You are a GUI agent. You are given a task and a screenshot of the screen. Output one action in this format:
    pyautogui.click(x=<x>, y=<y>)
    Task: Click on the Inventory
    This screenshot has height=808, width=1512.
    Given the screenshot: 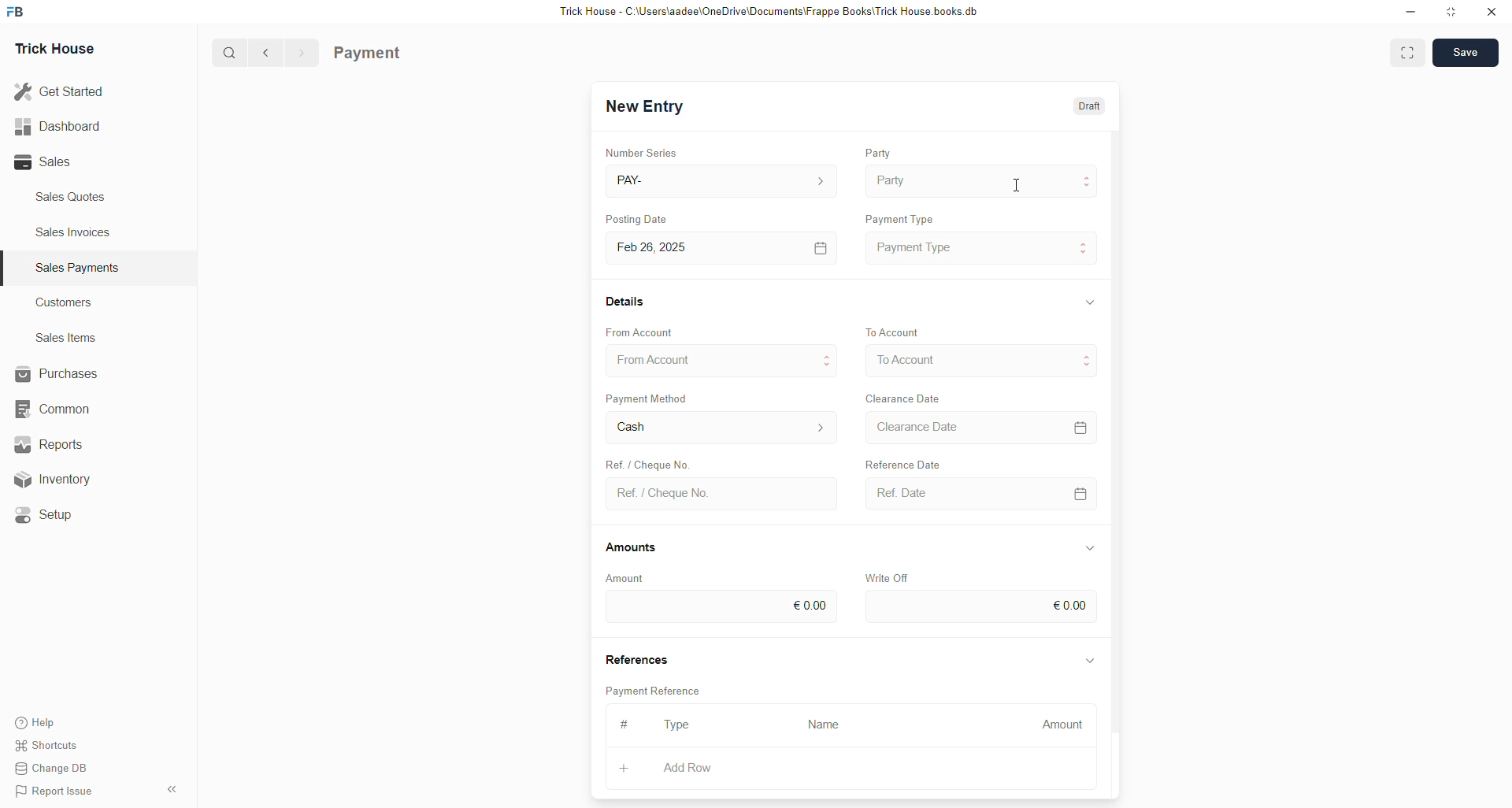 What is the action you would take?
    pyautogui.click(x=71, y=478)
    